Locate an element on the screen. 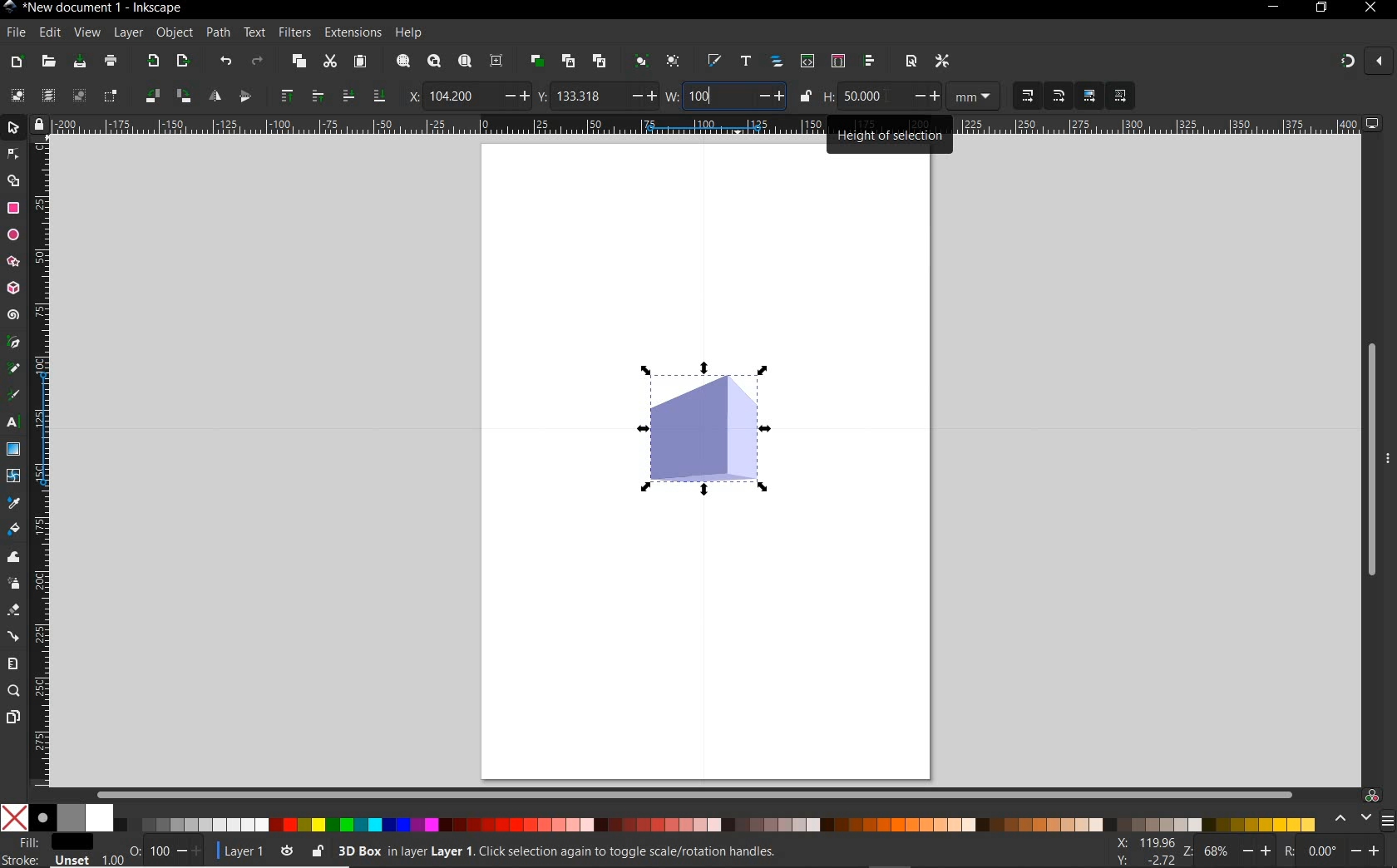  y is located at coordinates (543, 96).